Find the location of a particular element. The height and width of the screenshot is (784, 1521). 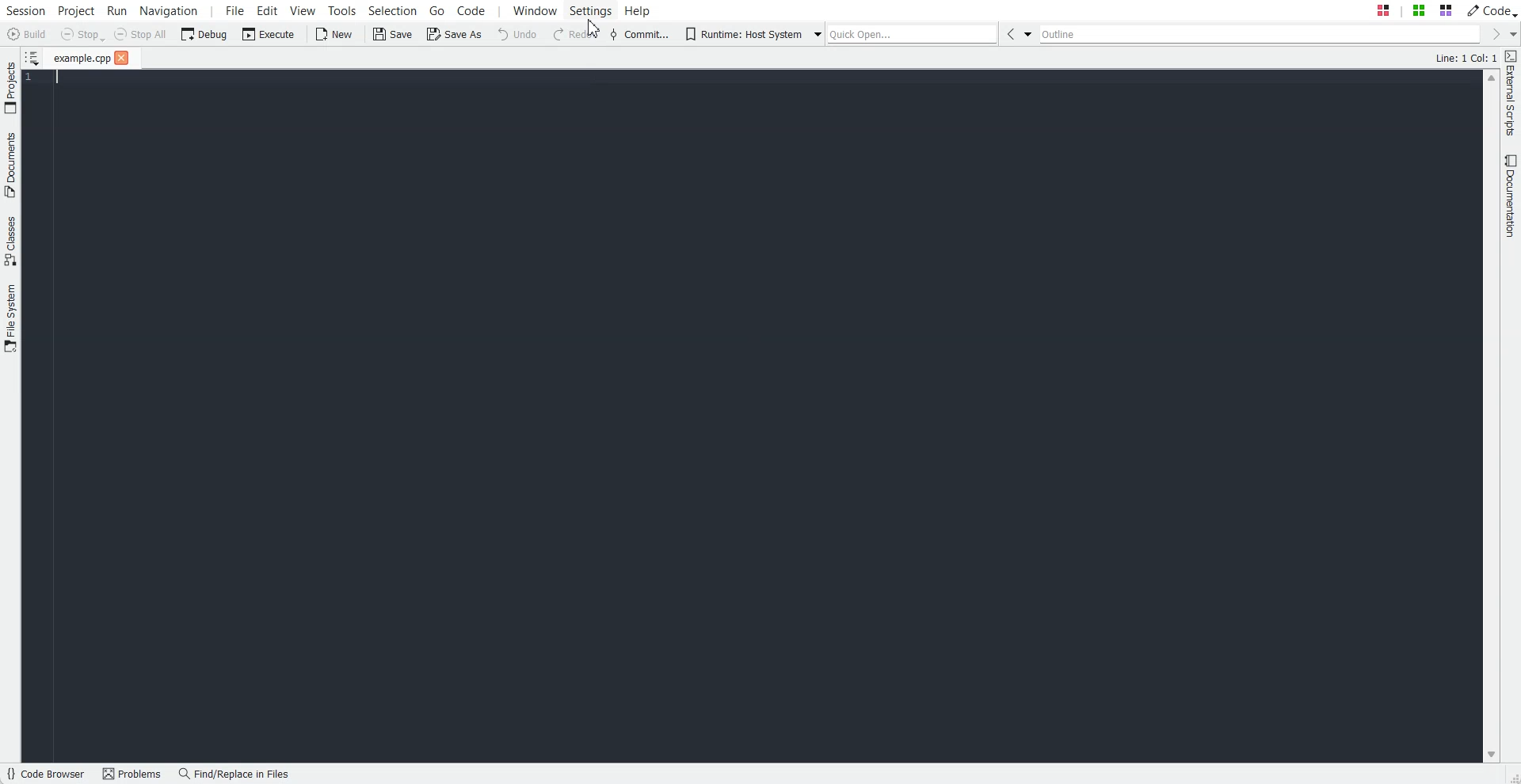

Build is located at coordinates (25, 33).